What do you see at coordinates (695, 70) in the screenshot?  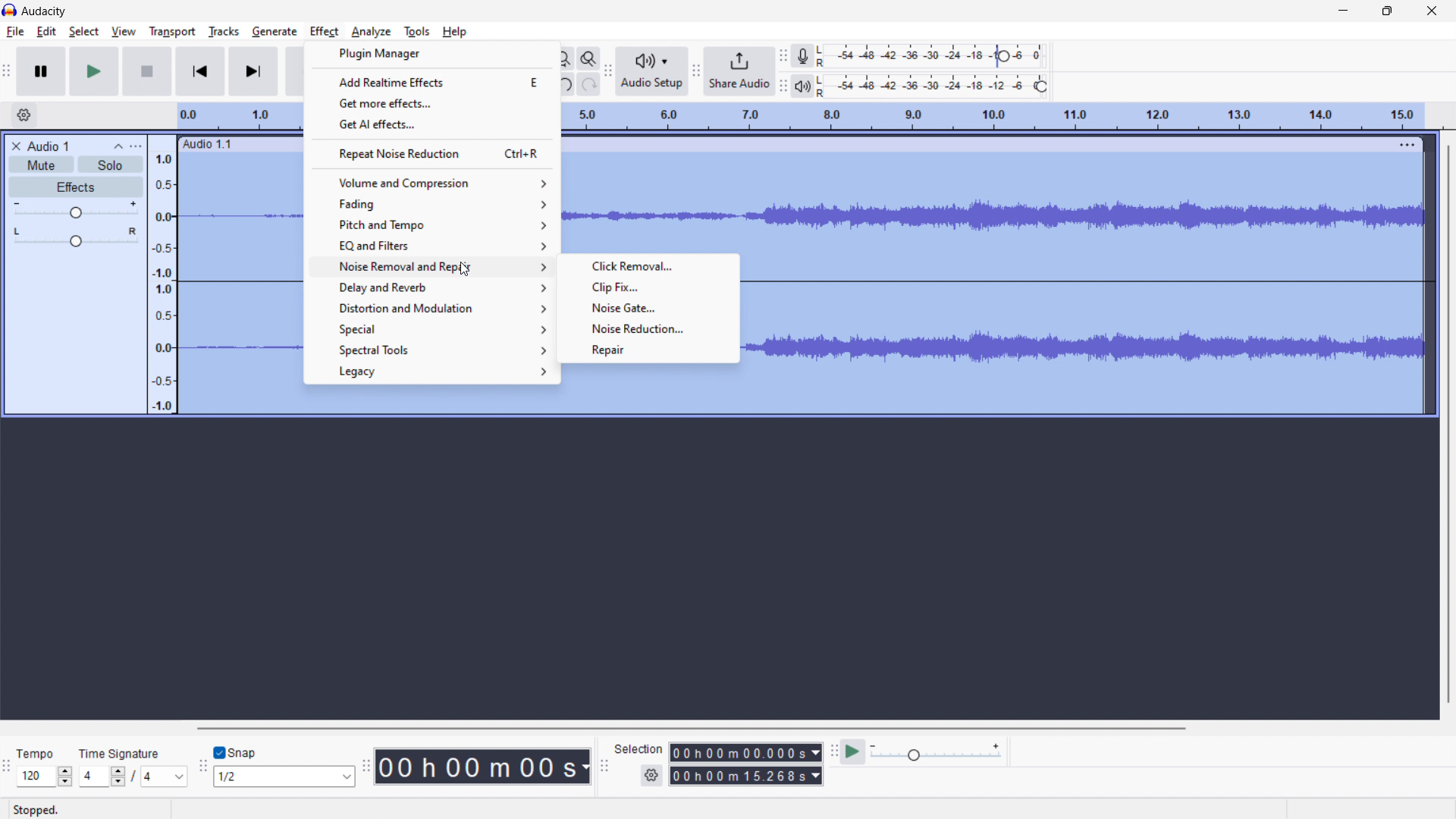 I see `share audio toolbar` at bounding box center [695, 70].